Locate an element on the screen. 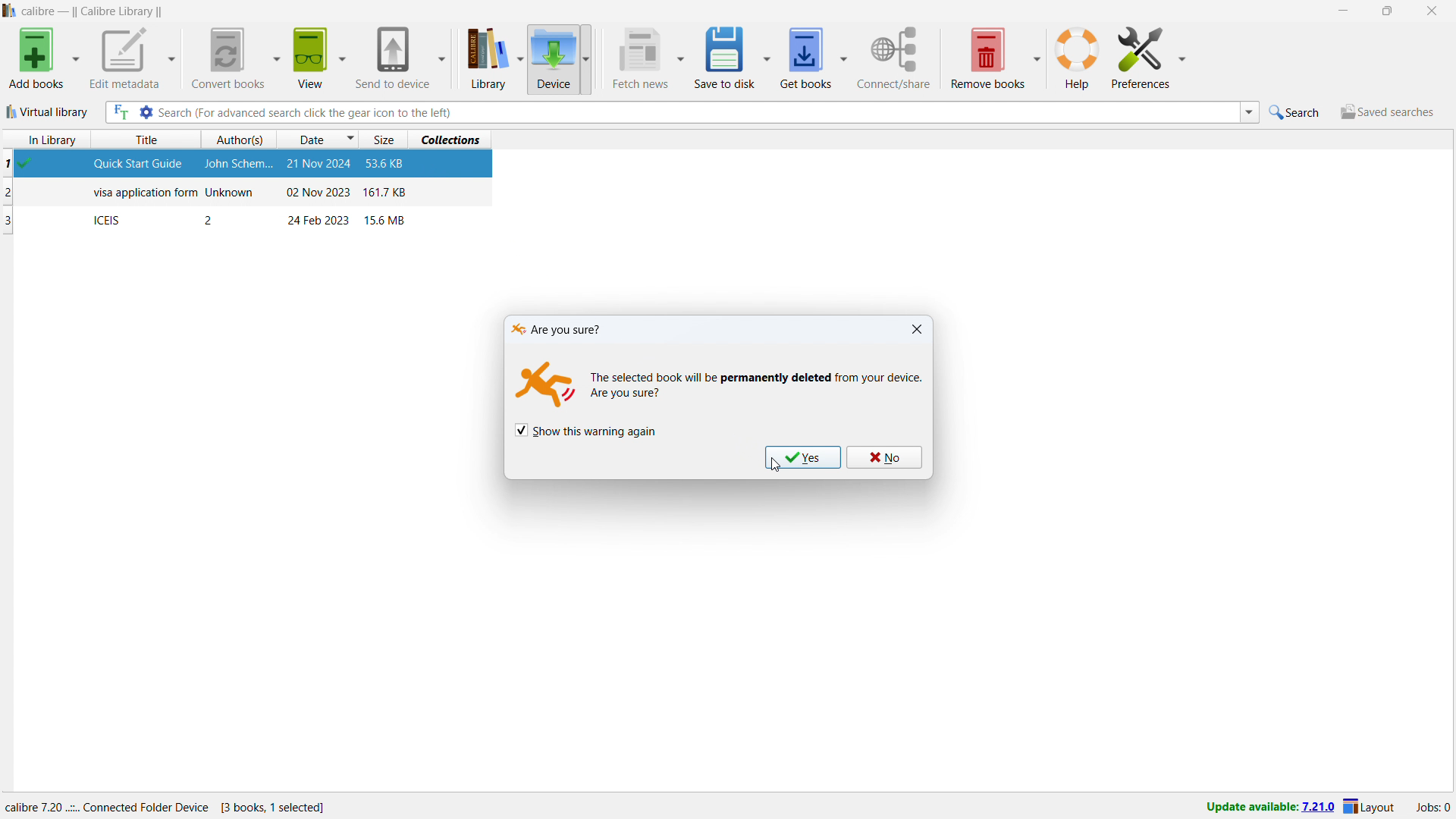 This screenshot has height=819, width=1456. device is located at coordinates (553, 58).